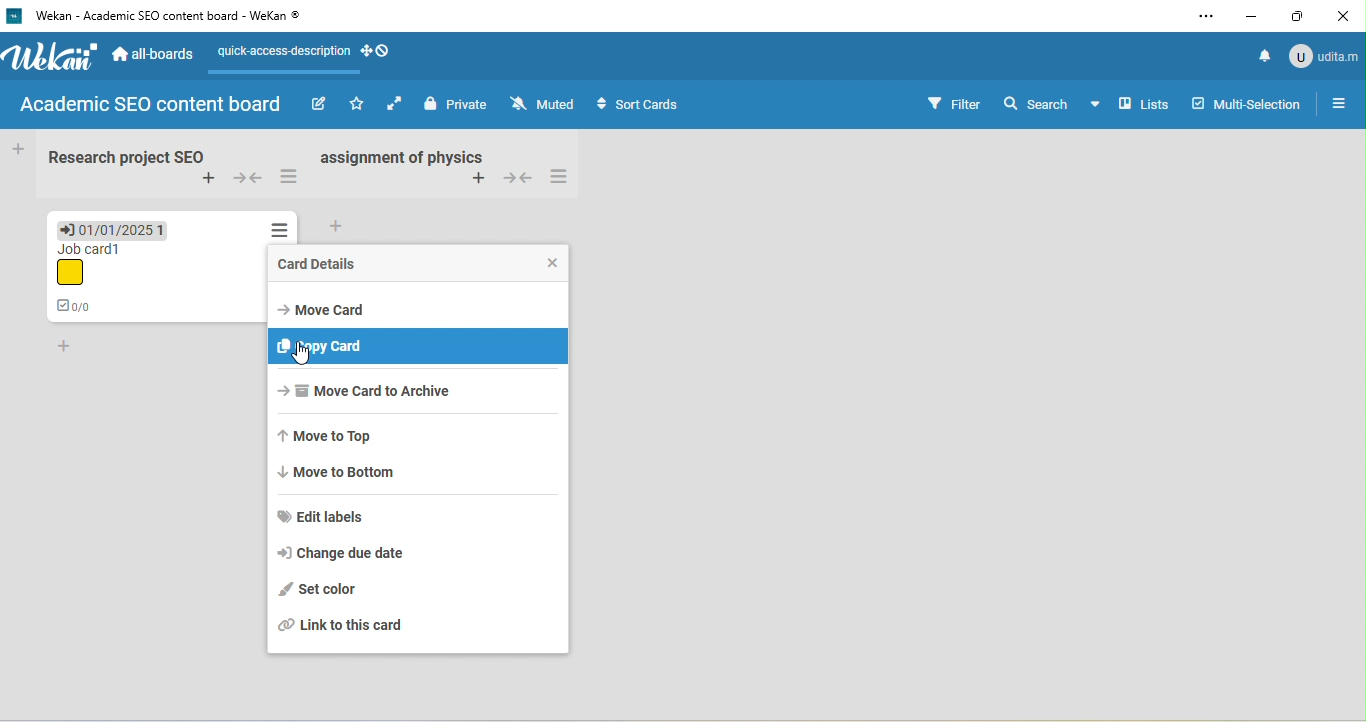 The height and width of the screenshot is (722, 1366). What do you see at coordinates (152, 106) in the screenshot?
I see `academic sed content board` at bounding box center [152, 106].